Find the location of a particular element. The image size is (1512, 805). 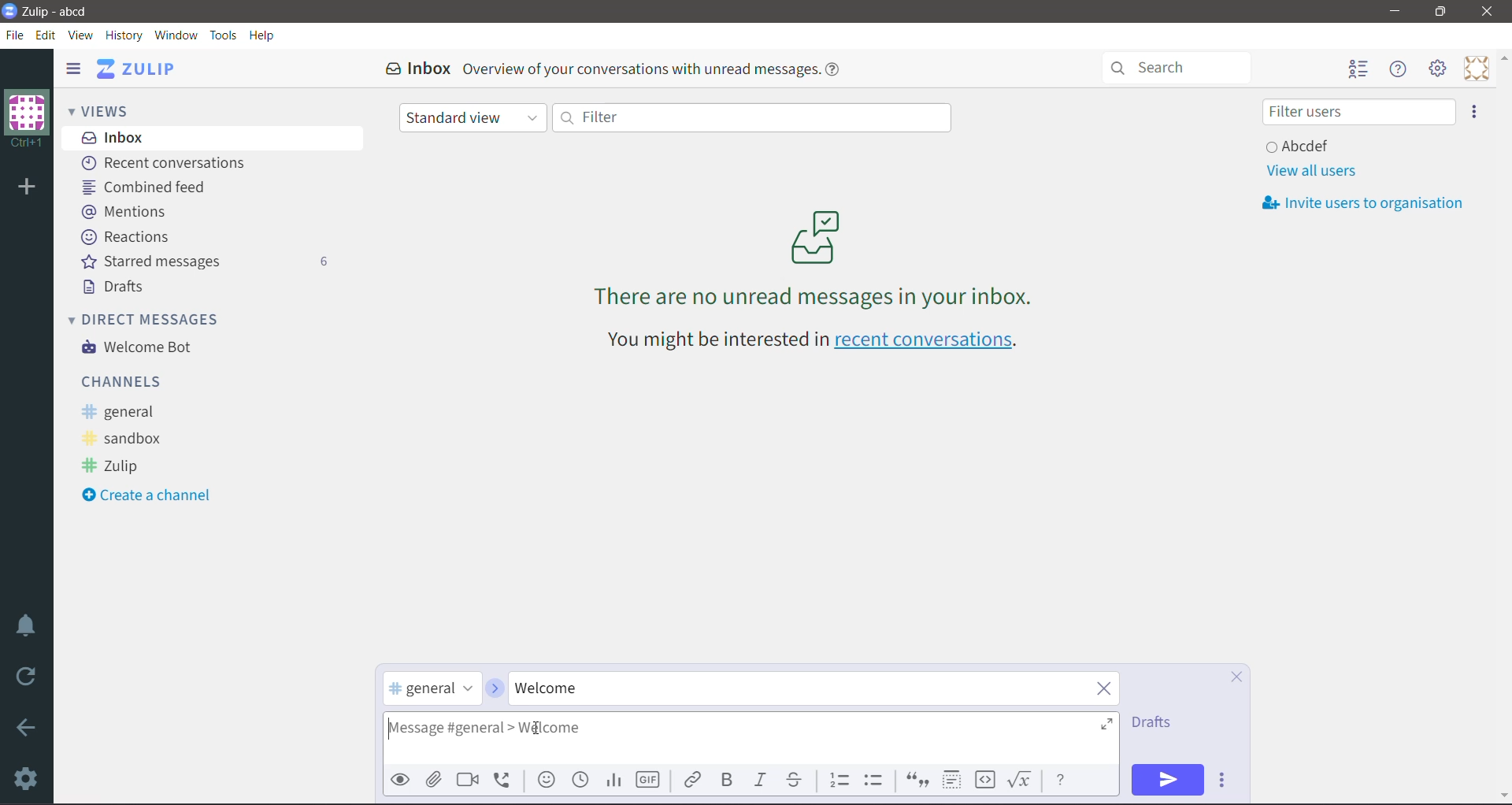

Drafts is located at coordinates (1157, 722).